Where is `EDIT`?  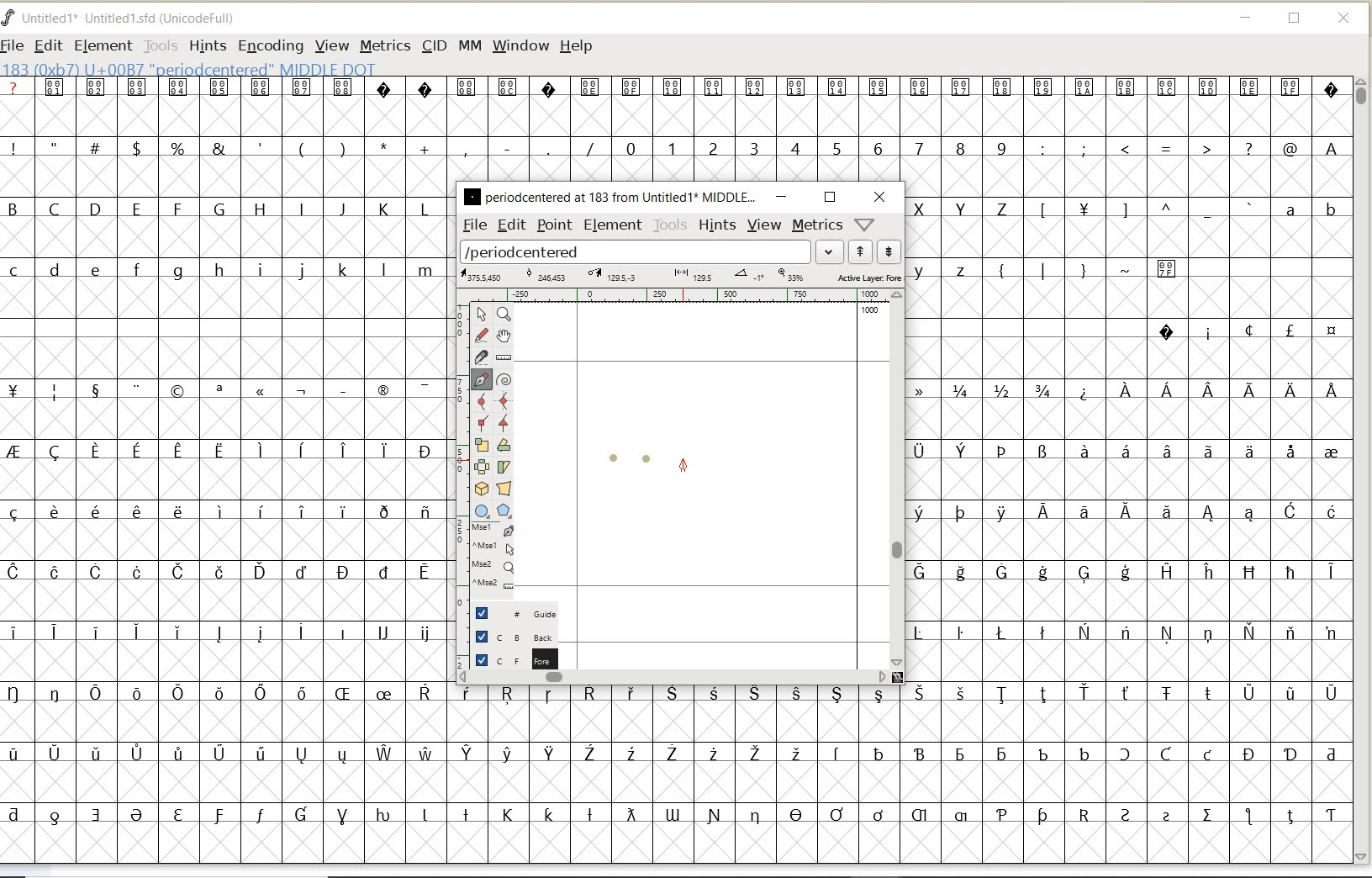
EDIT is located at coordinates (48, 47).